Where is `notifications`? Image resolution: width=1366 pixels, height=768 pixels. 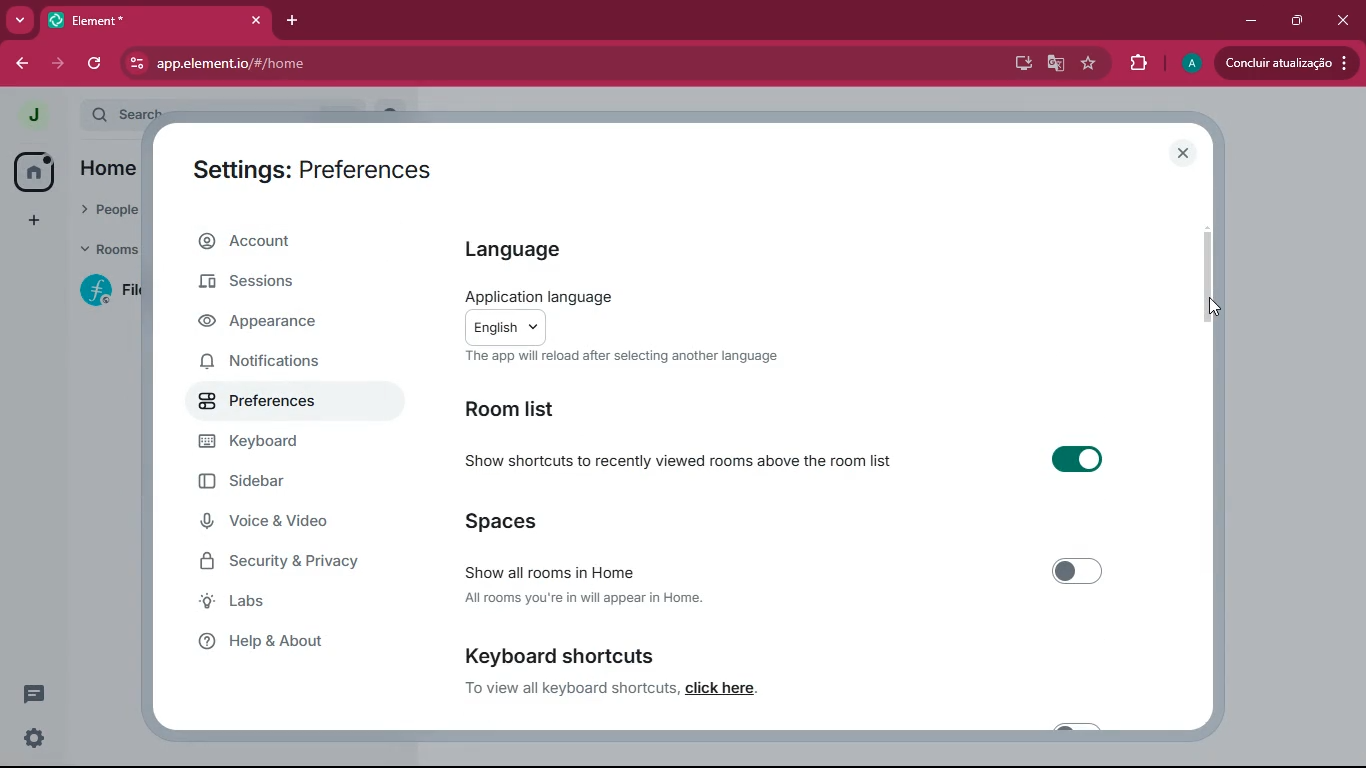 notifications is located at coordinates (276, 363).